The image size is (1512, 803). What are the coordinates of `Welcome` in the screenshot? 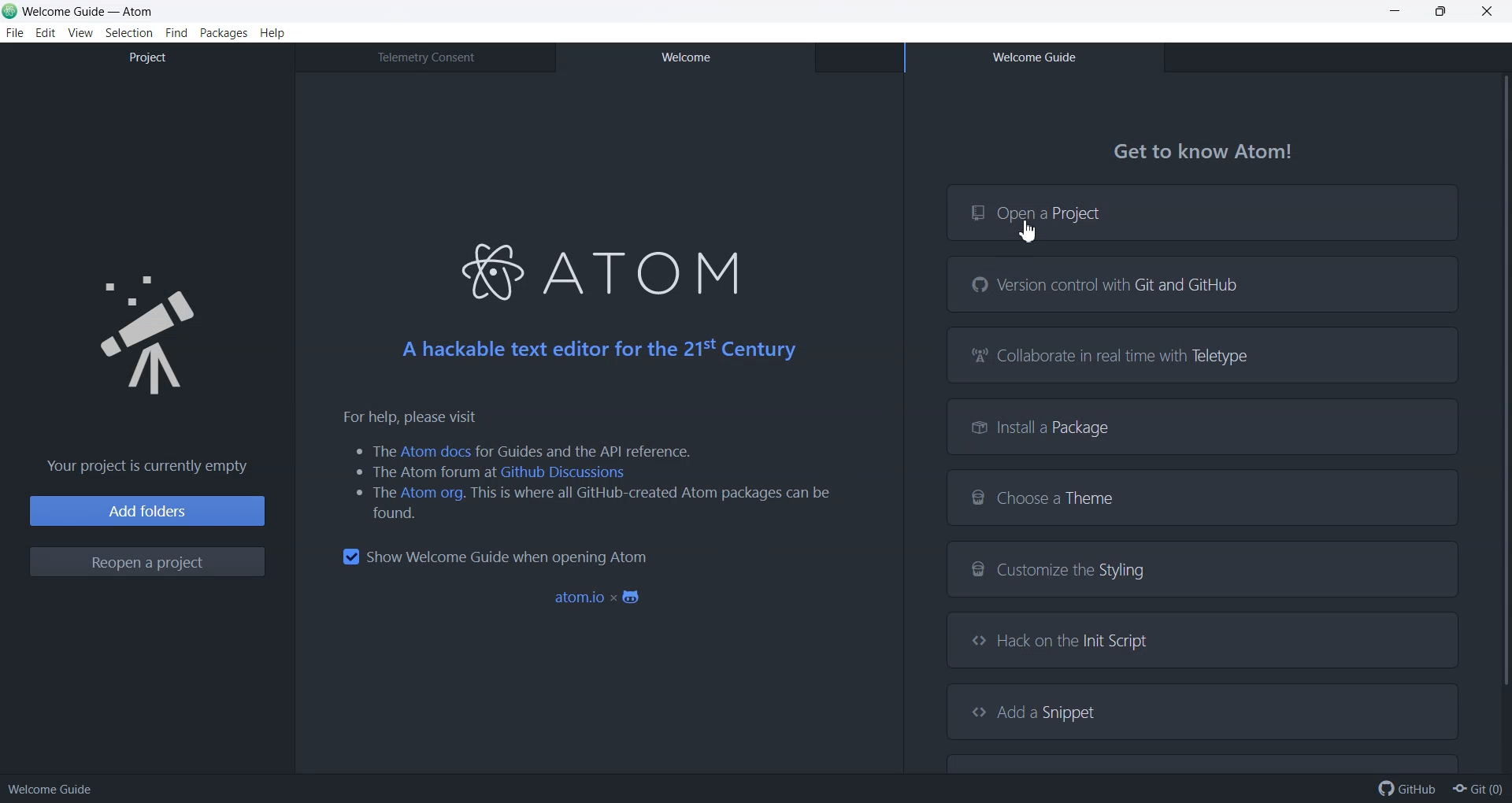 It's located at (684, 57).